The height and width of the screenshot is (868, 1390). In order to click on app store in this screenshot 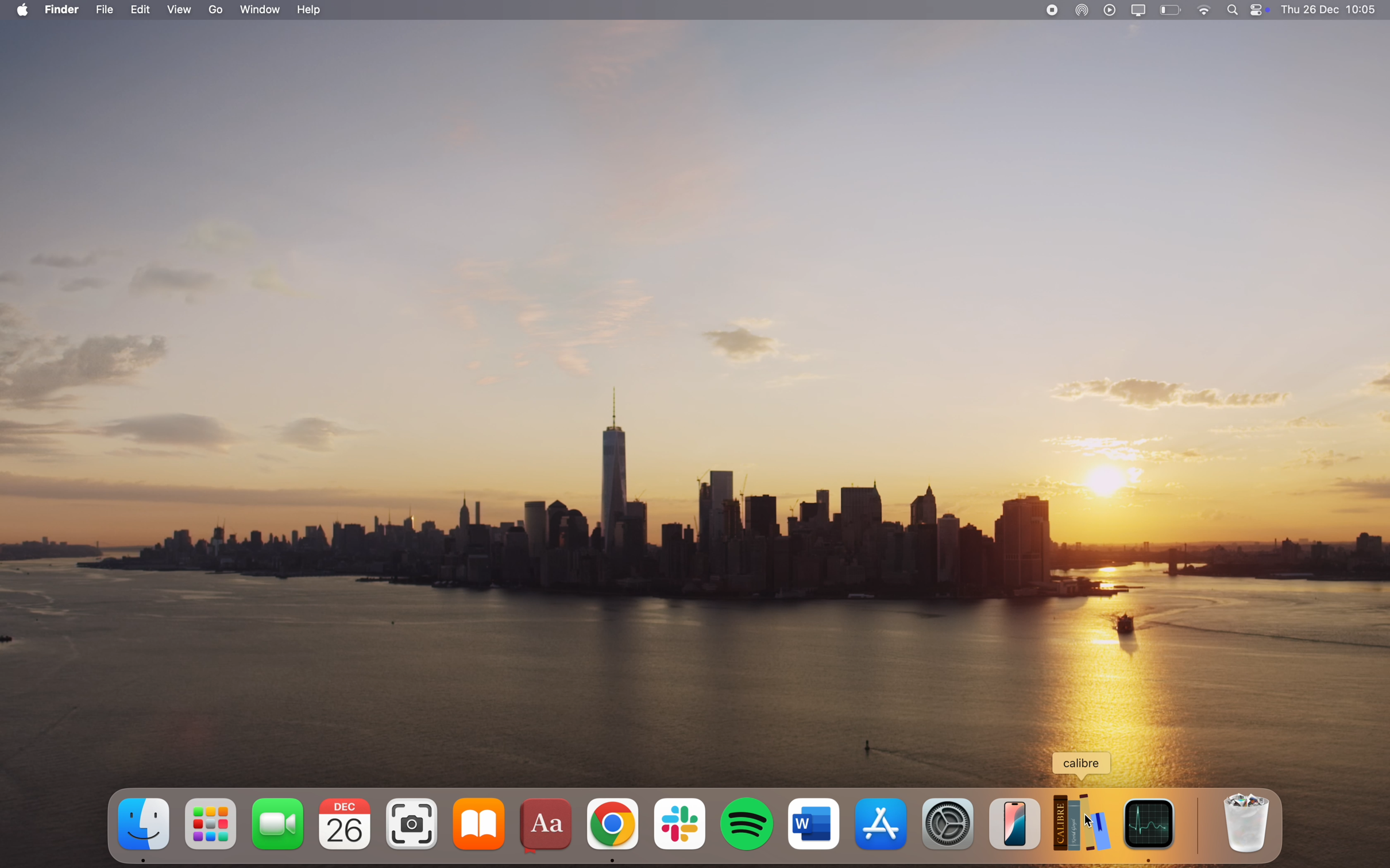, I will do `click(881, 820)`.